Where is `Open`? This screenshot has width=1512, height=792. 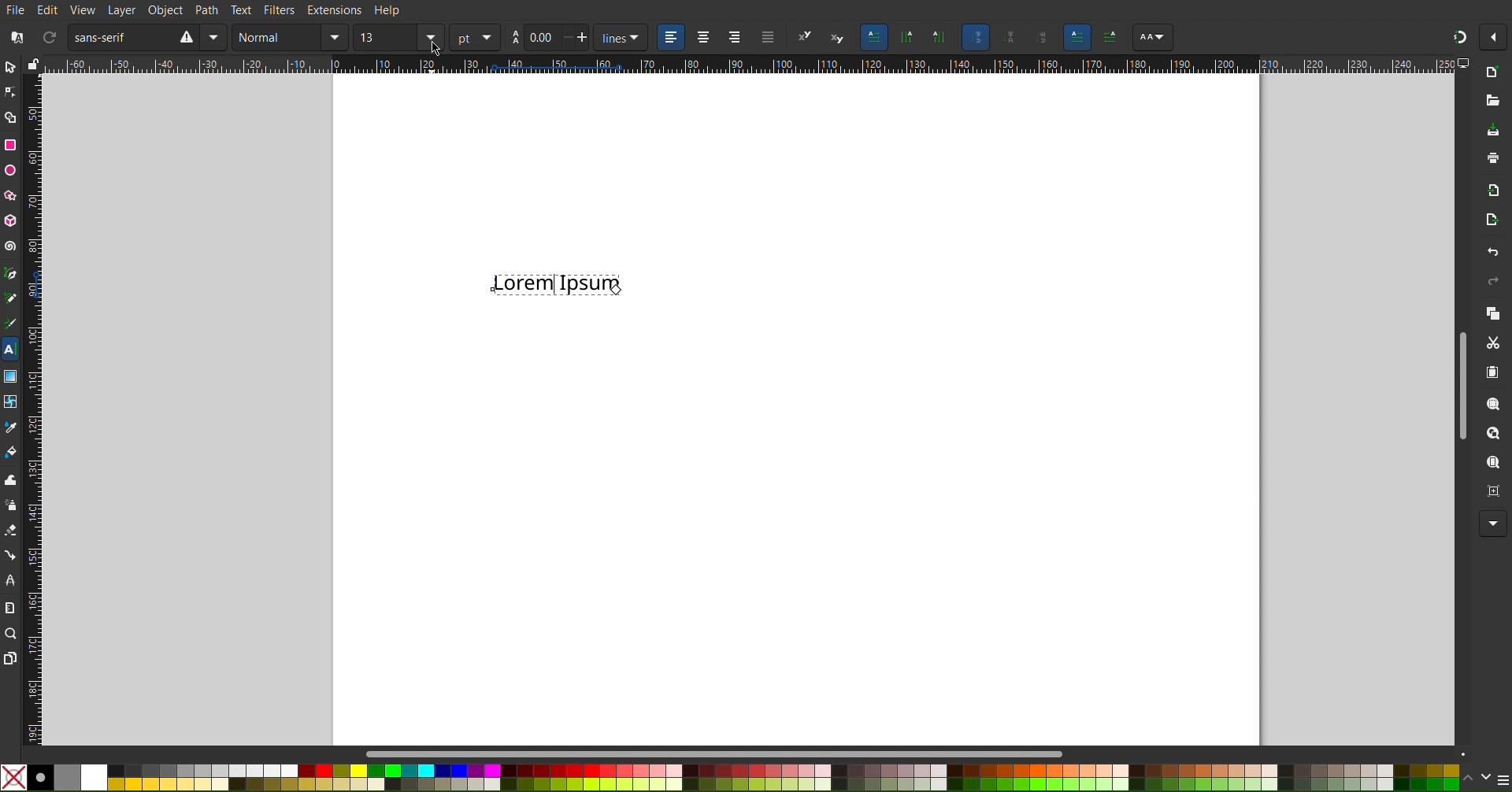
Open is located at coordinates (1492, 105).